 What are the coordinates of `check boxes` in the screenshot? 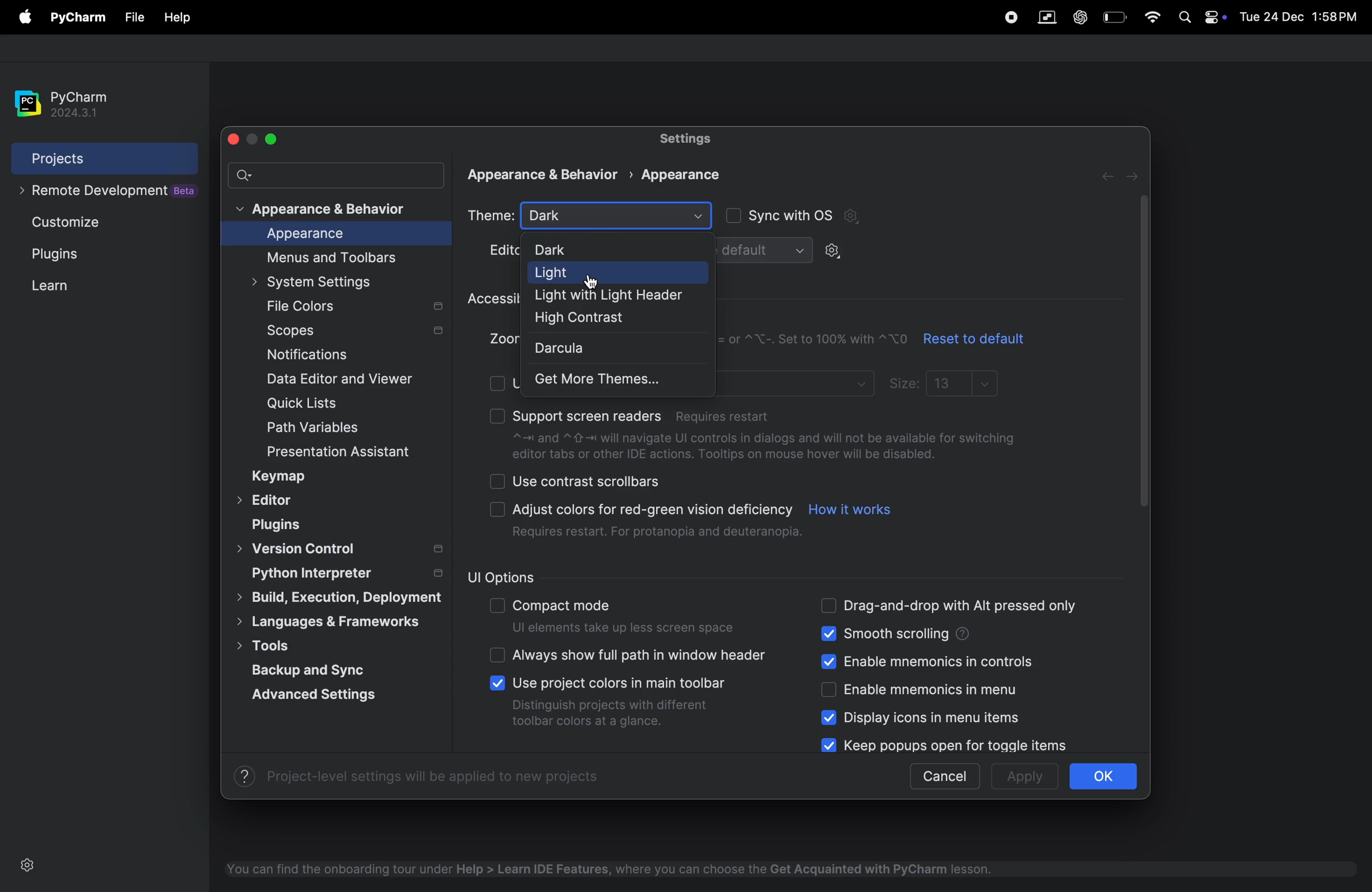 It's located at (499, 685).